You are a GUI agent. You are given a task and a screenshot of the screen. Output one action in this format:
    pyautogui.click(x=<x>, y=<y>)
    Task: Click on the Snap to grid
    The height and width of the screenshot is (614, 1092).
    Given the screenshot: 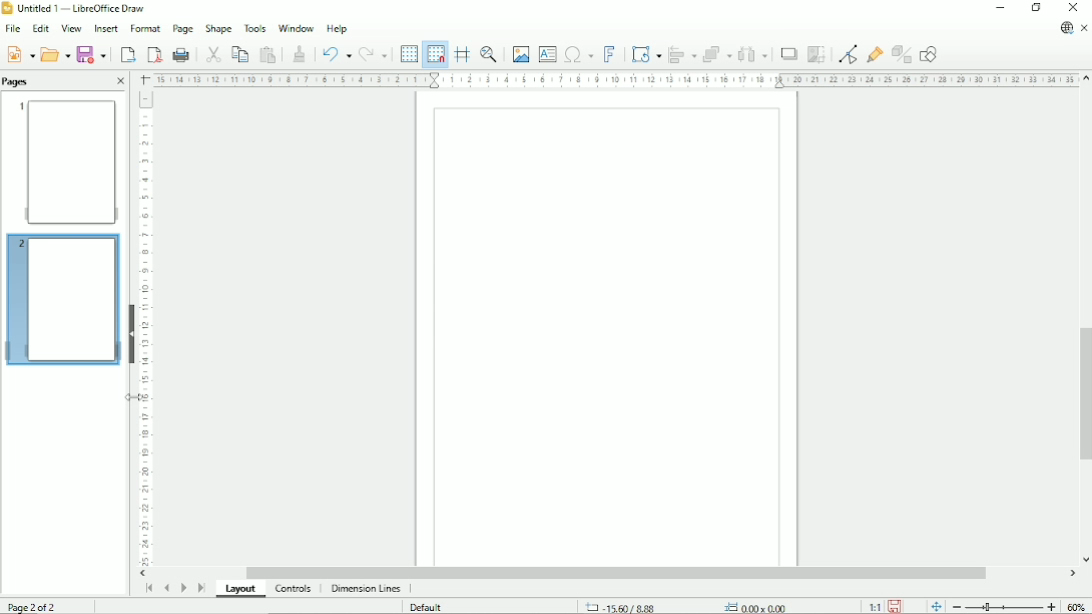 What is the action you would take?
    pyautogui.click(x=434, y=54)
    